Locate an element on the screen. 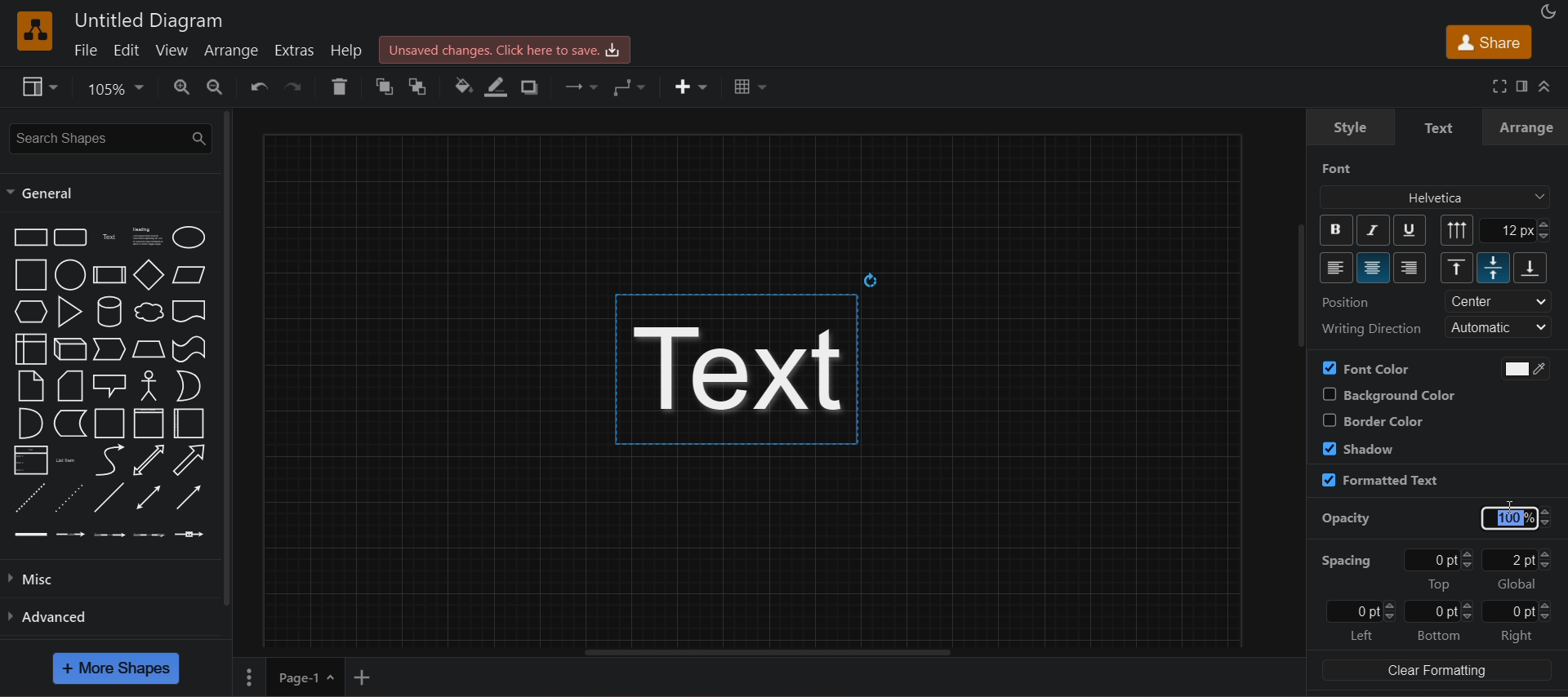 The image size is (1568, 697). cube is located at coordinates (72, 349).